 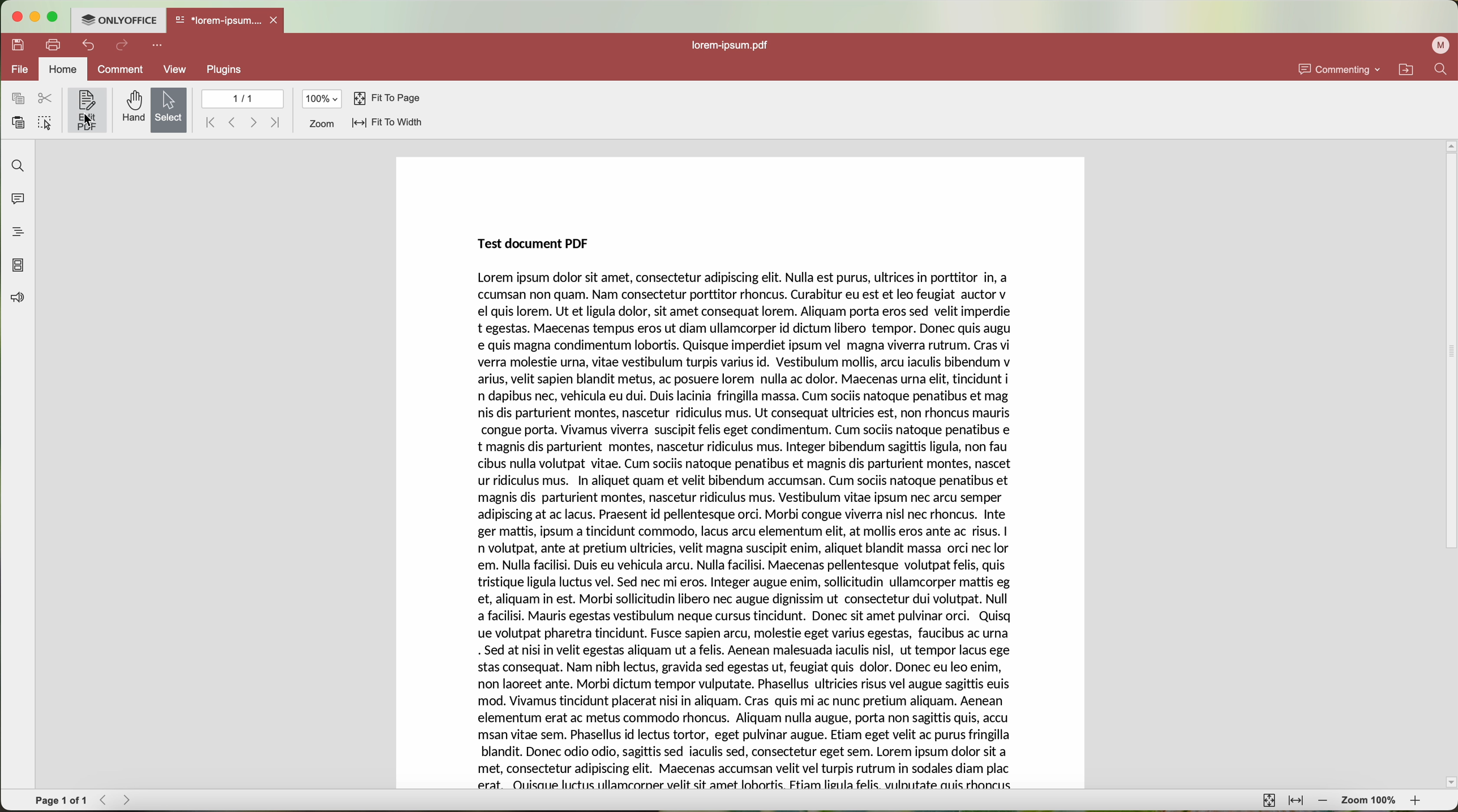 What do you see at coordinates (536, 244) in the screenshot?
I see `Test document PDF` at bounding box center [536, 244].